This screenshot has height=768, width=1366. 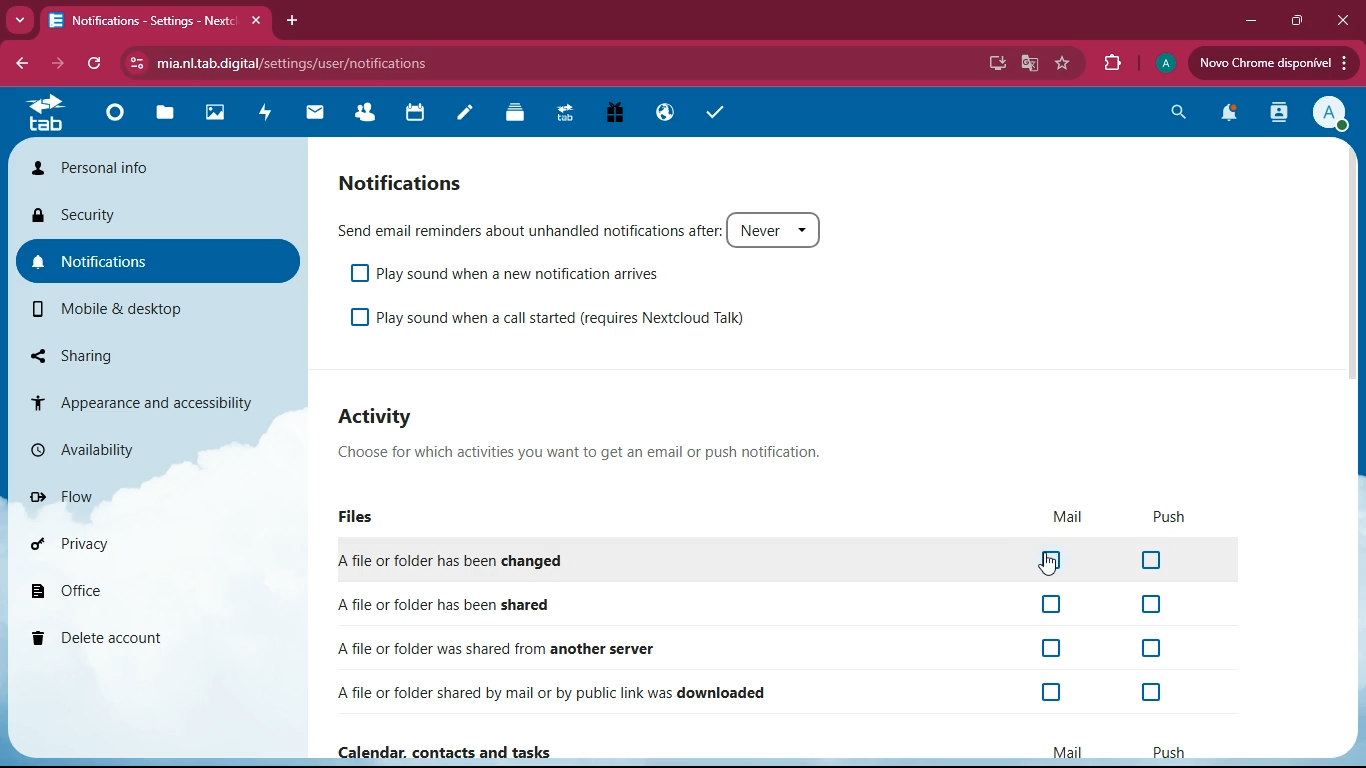 I want to click on another server, so click(x=508, y=648).